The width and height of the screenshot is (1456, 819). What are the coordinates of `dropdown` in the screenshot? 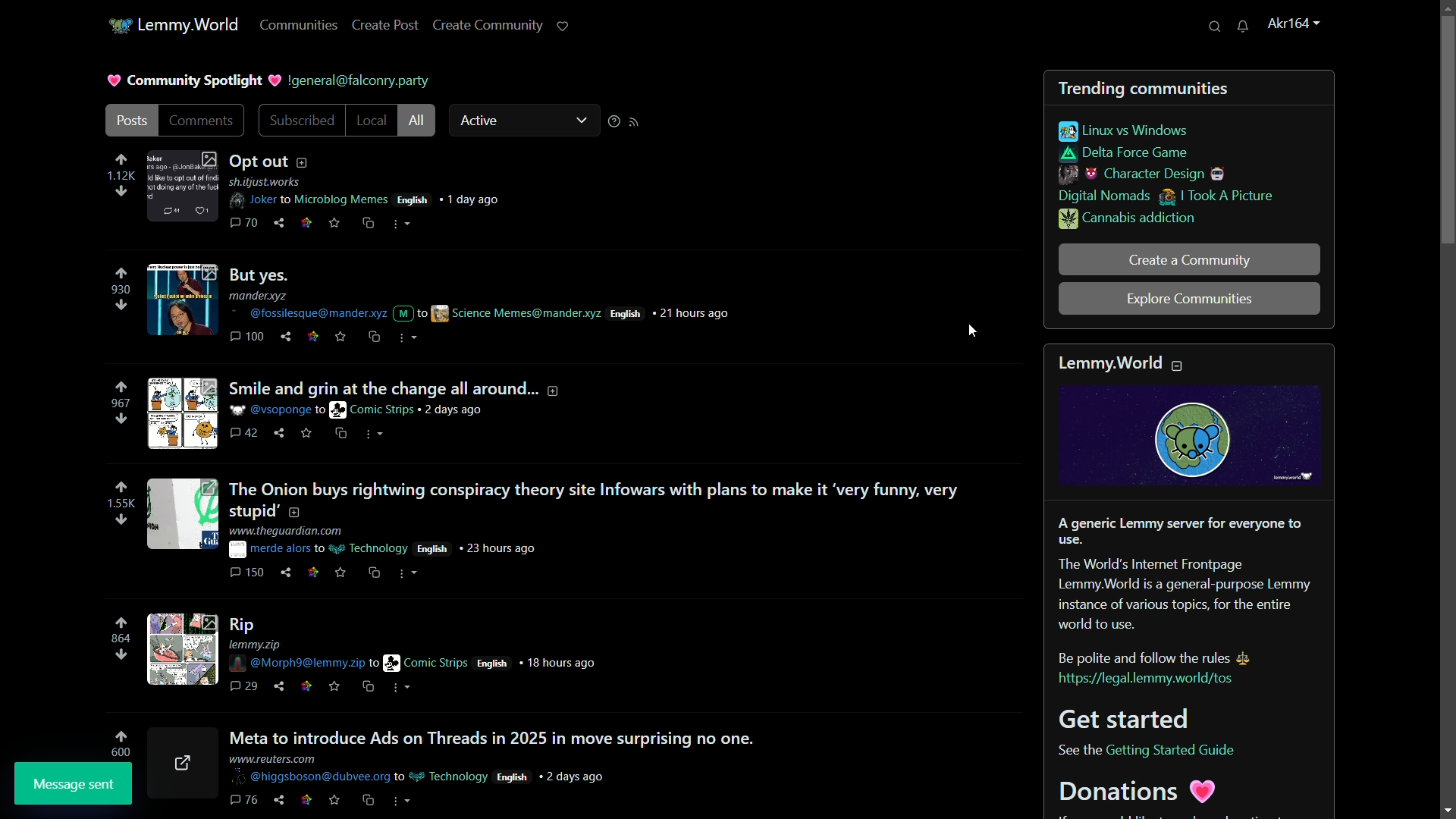 It's located at (581, 121).